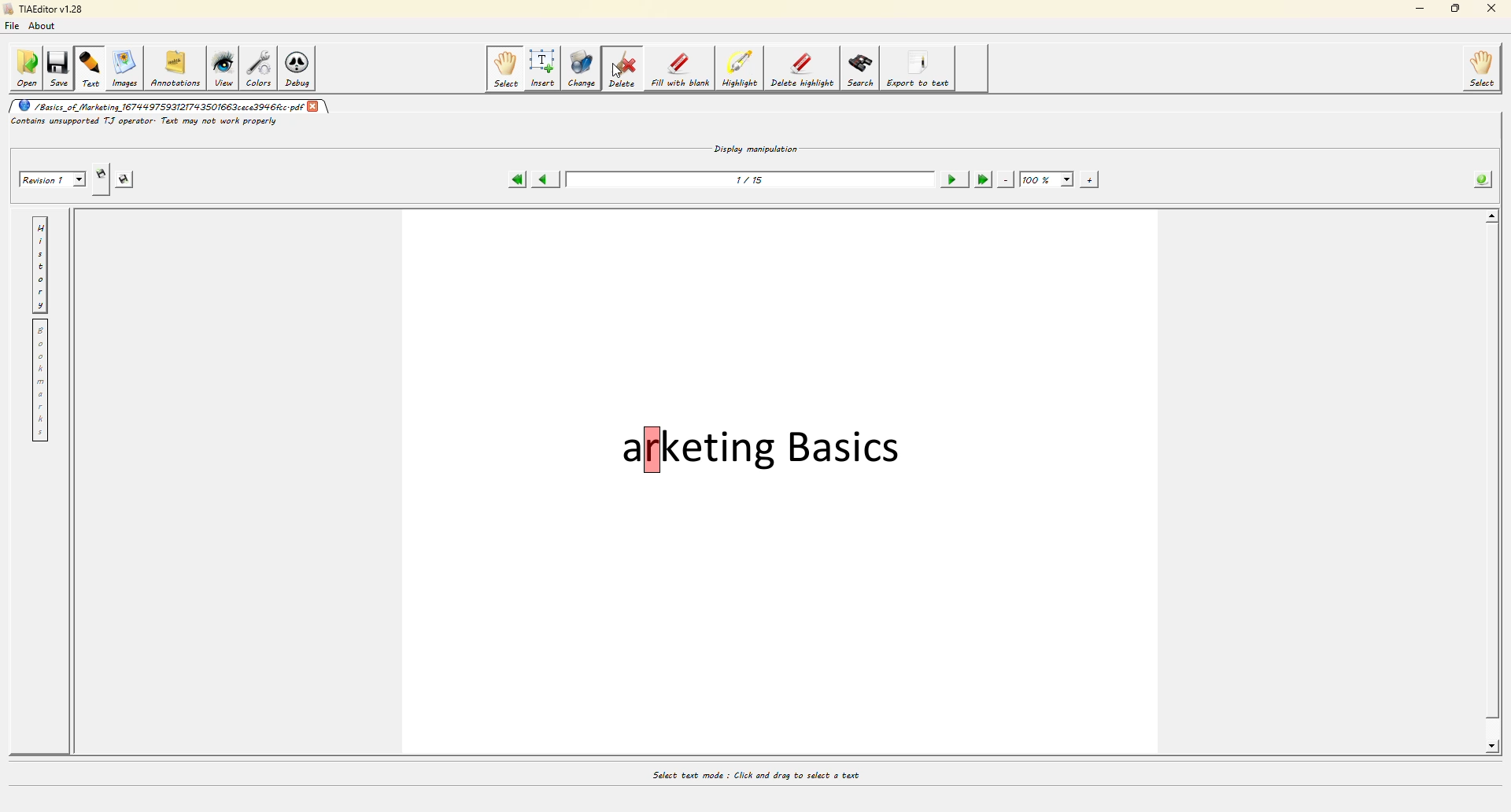 The height and width of the screenshot is (812, 1511). What do you see at coordinates (622, 68) in the screenshot?
I see `delete` at bounding box center [622, 68].